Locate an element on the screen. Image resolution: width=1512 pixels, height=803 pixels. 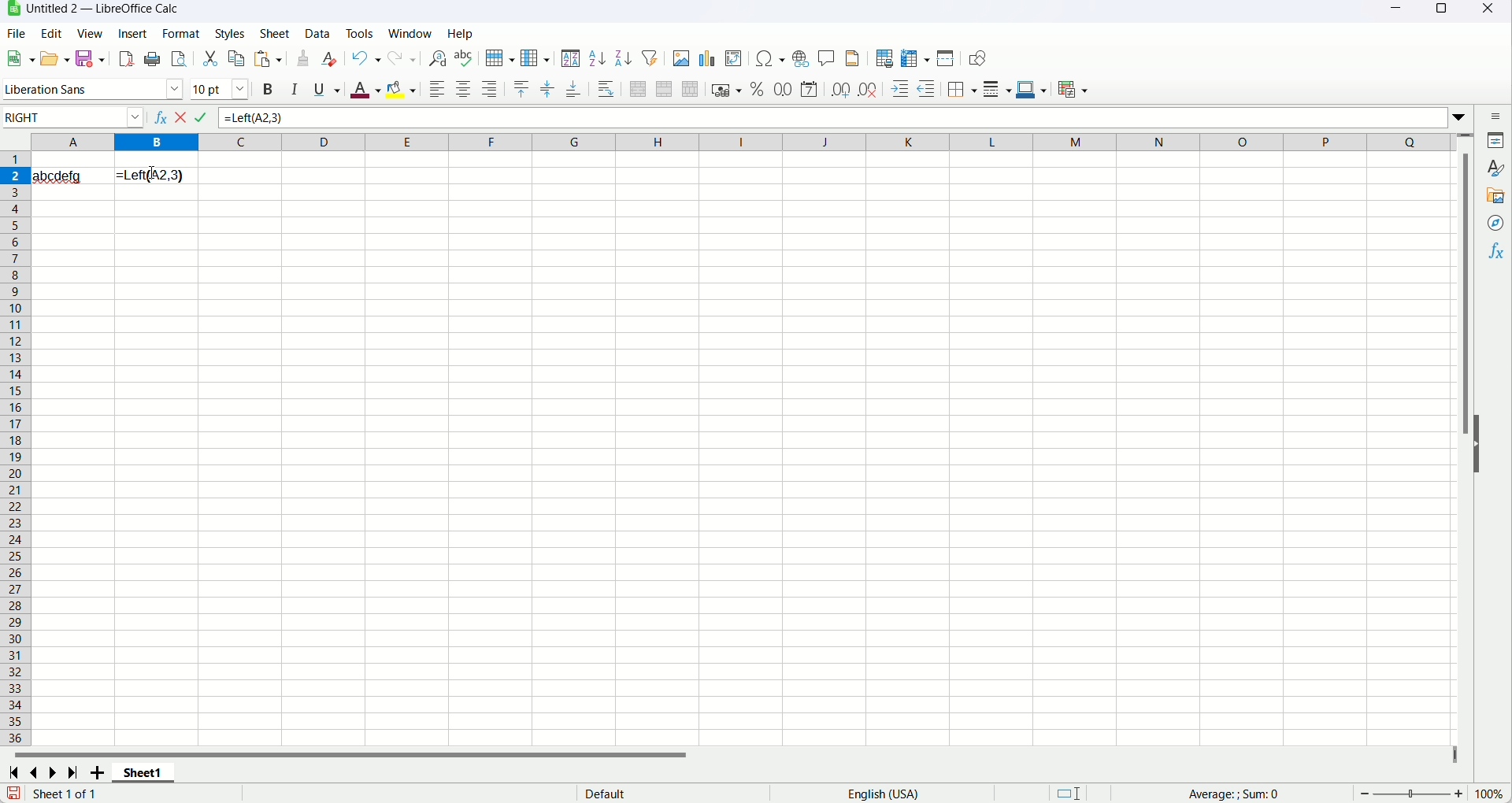
rows is located at coordinates (15, 448).